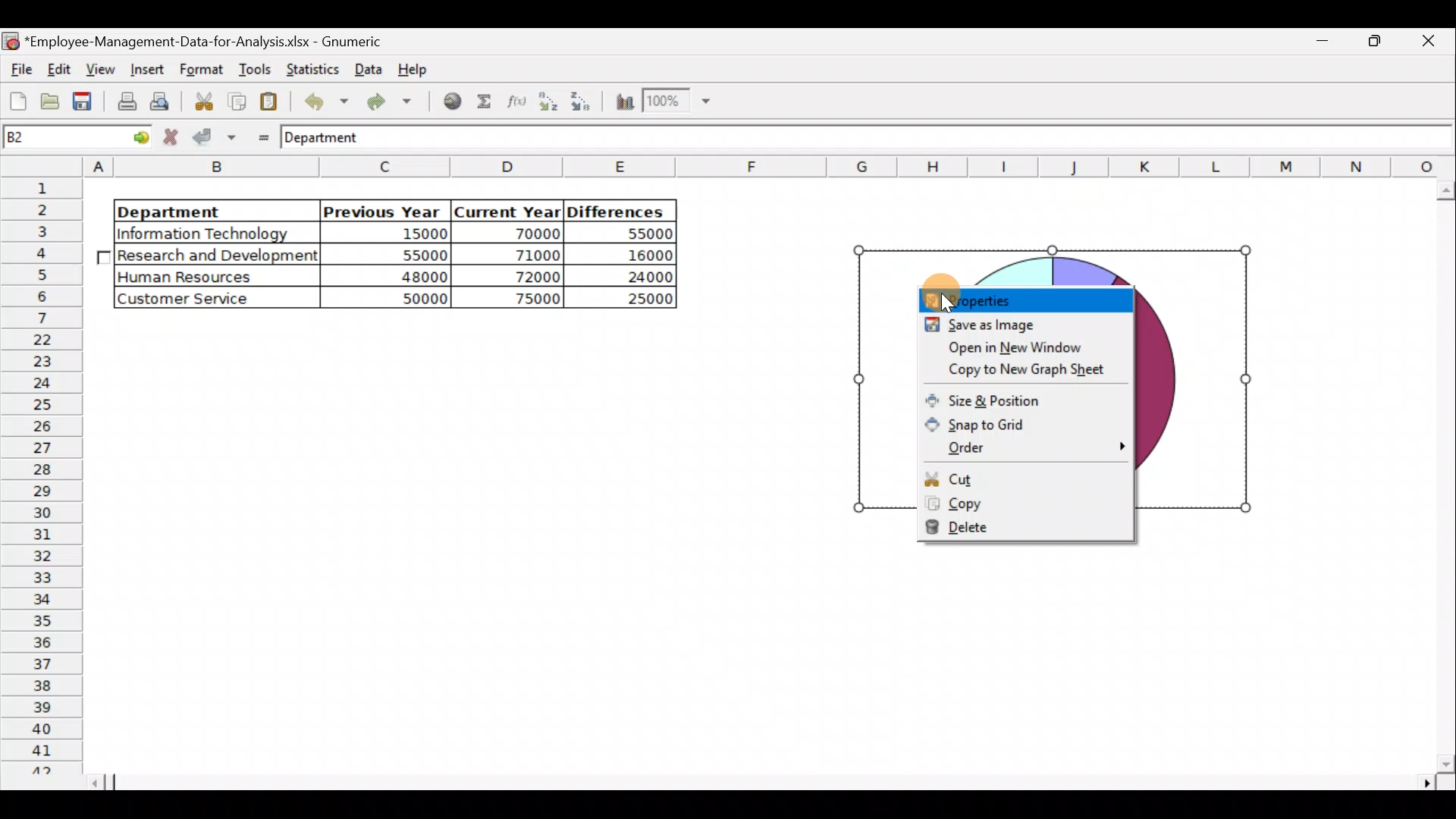  What do you see at coordinates (324, 101) in the screenshot?
I see `Undo last action` at bounding box center [324, 101].